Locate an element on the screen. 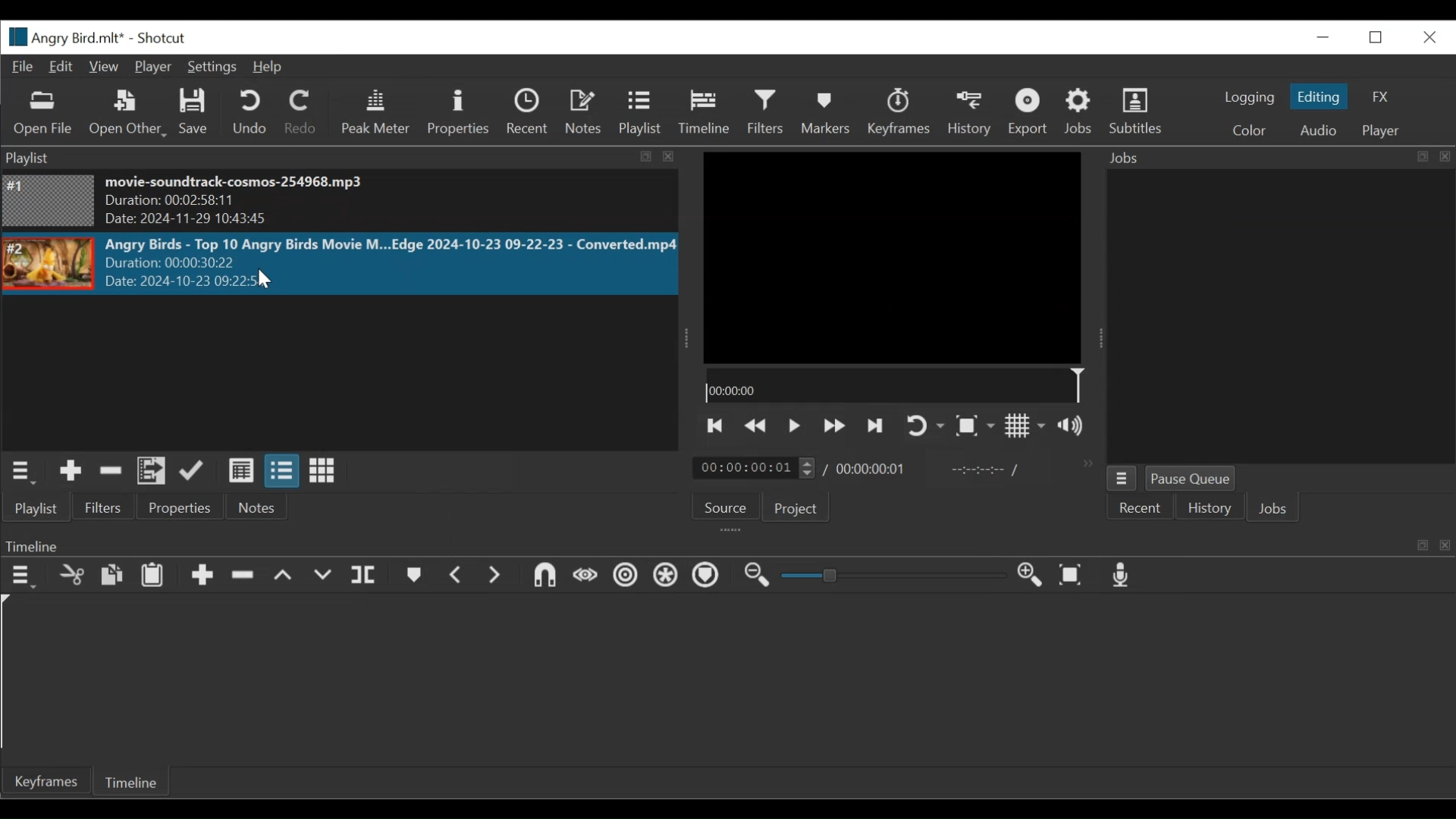 The image size is (1456, 819). Source is located at coordinates (726, 508).